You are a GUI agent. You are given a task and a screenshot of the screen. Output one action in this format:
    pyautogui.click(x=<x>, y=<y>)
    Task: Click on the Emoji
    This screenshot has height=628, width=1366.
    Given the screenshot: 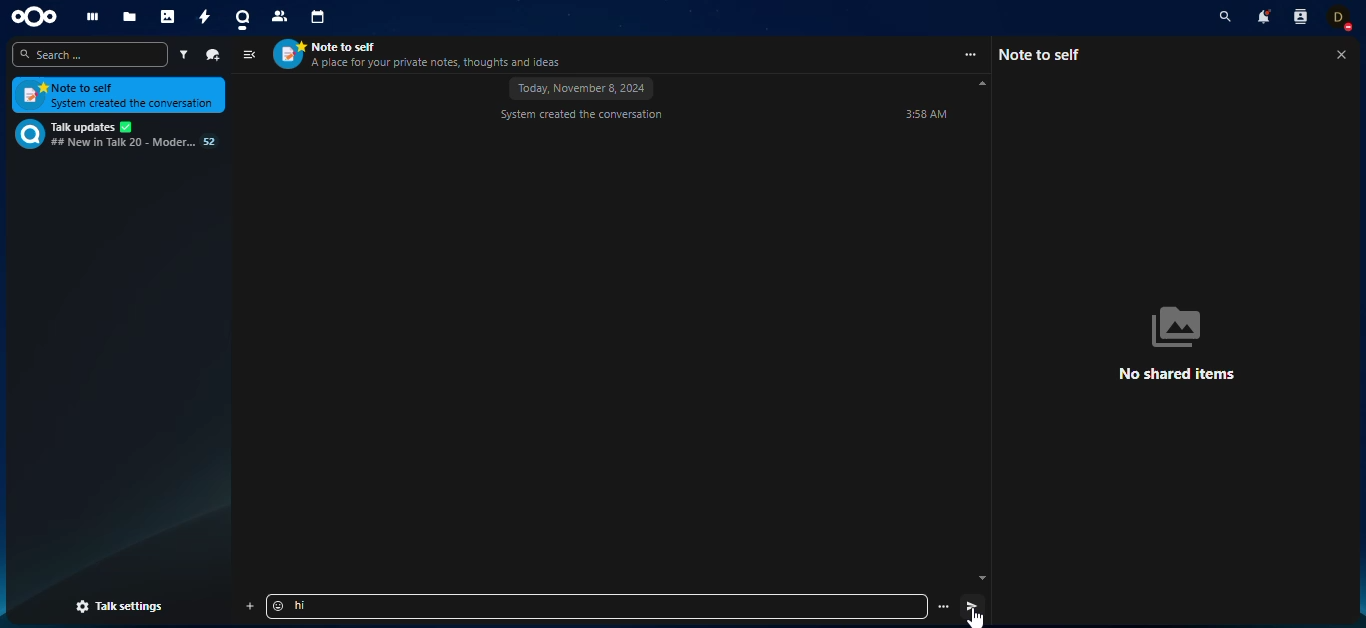 What is the action you would take?
    pyautogui.click(x=277, y=606)
    